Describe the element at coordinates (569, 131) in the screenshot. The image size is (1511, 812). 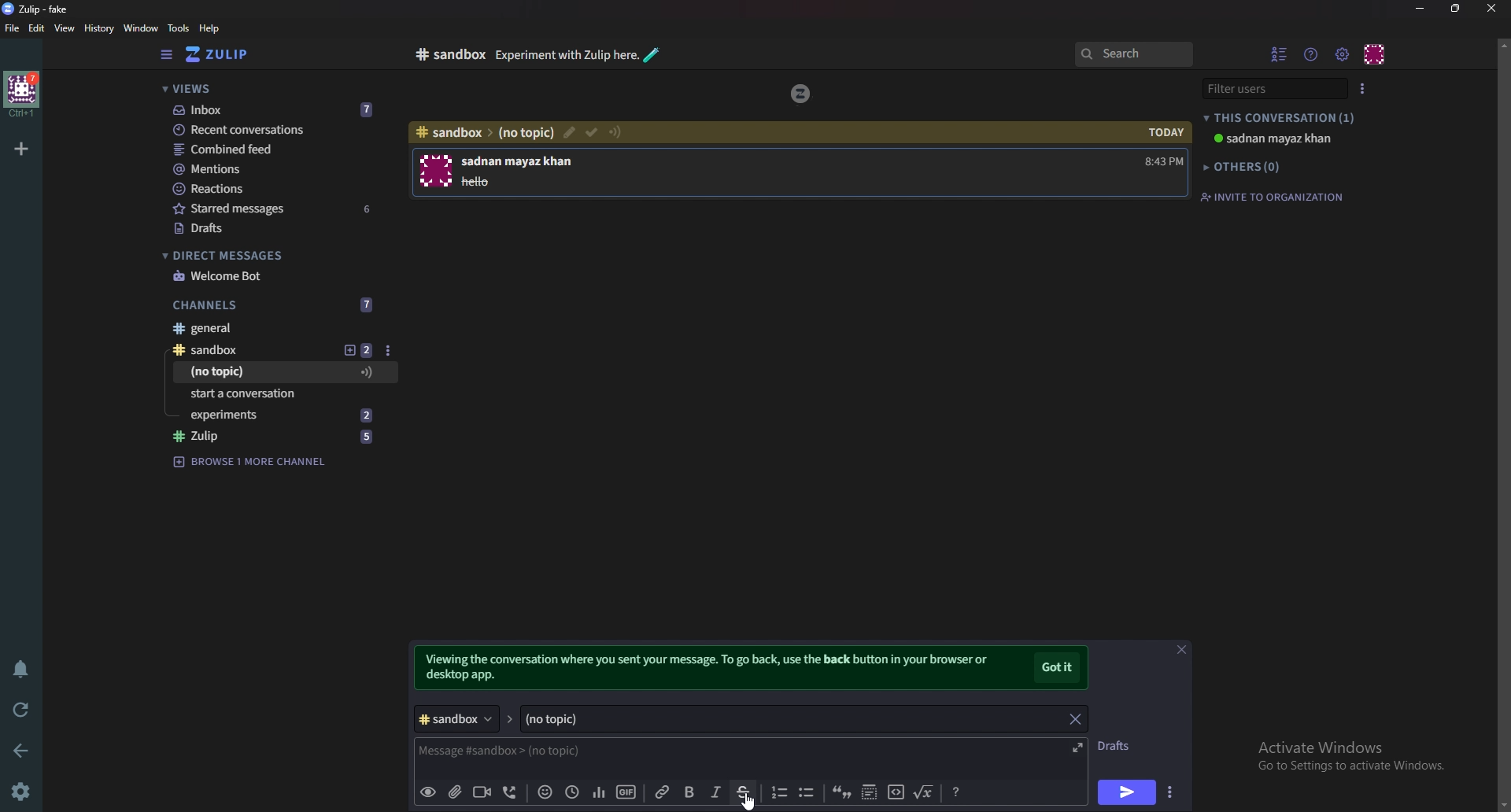
I see `Mark as resolved` at that location.